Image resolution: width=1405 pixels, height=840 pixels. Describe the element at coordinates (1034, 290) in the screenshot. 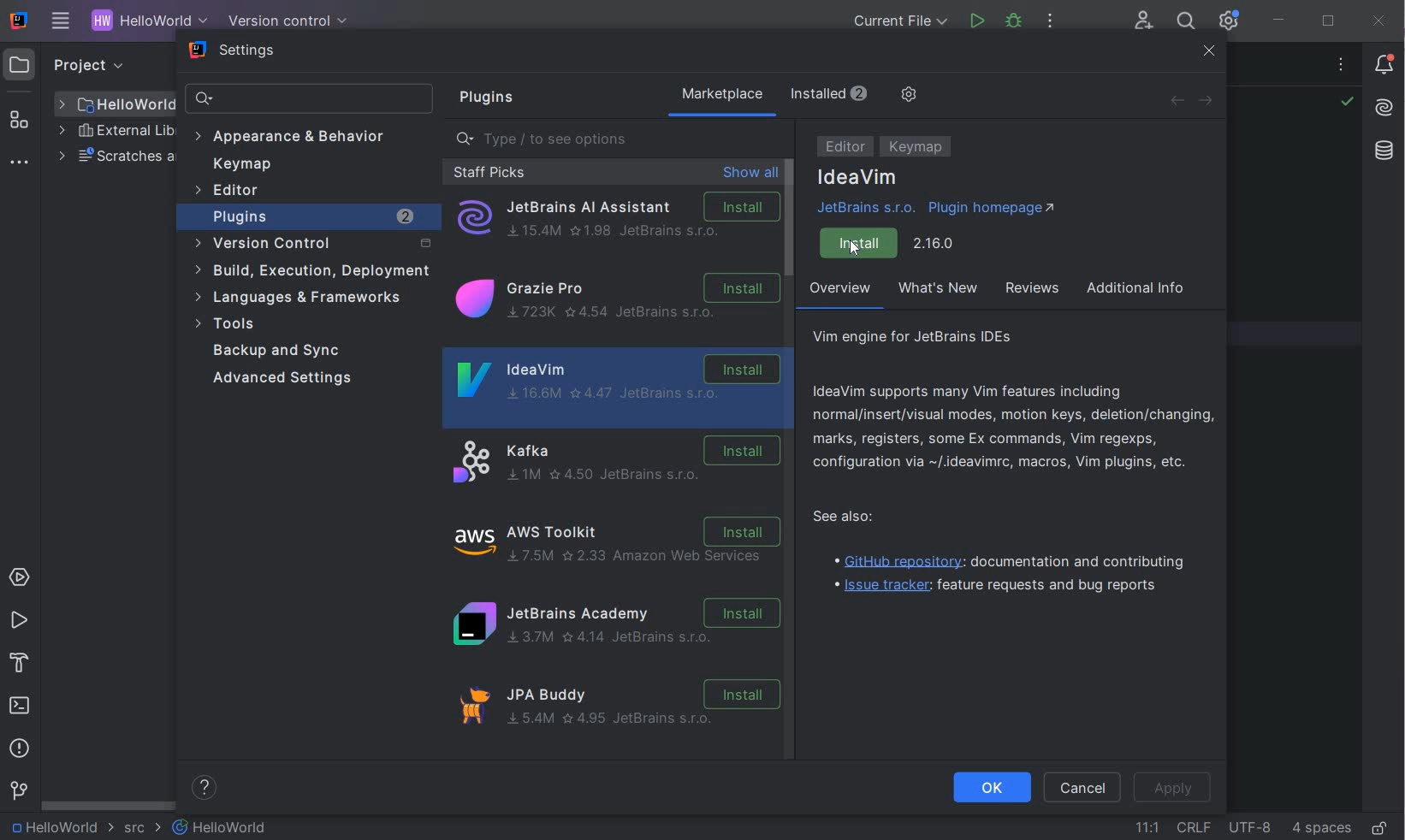

I see `reviews` at that location.